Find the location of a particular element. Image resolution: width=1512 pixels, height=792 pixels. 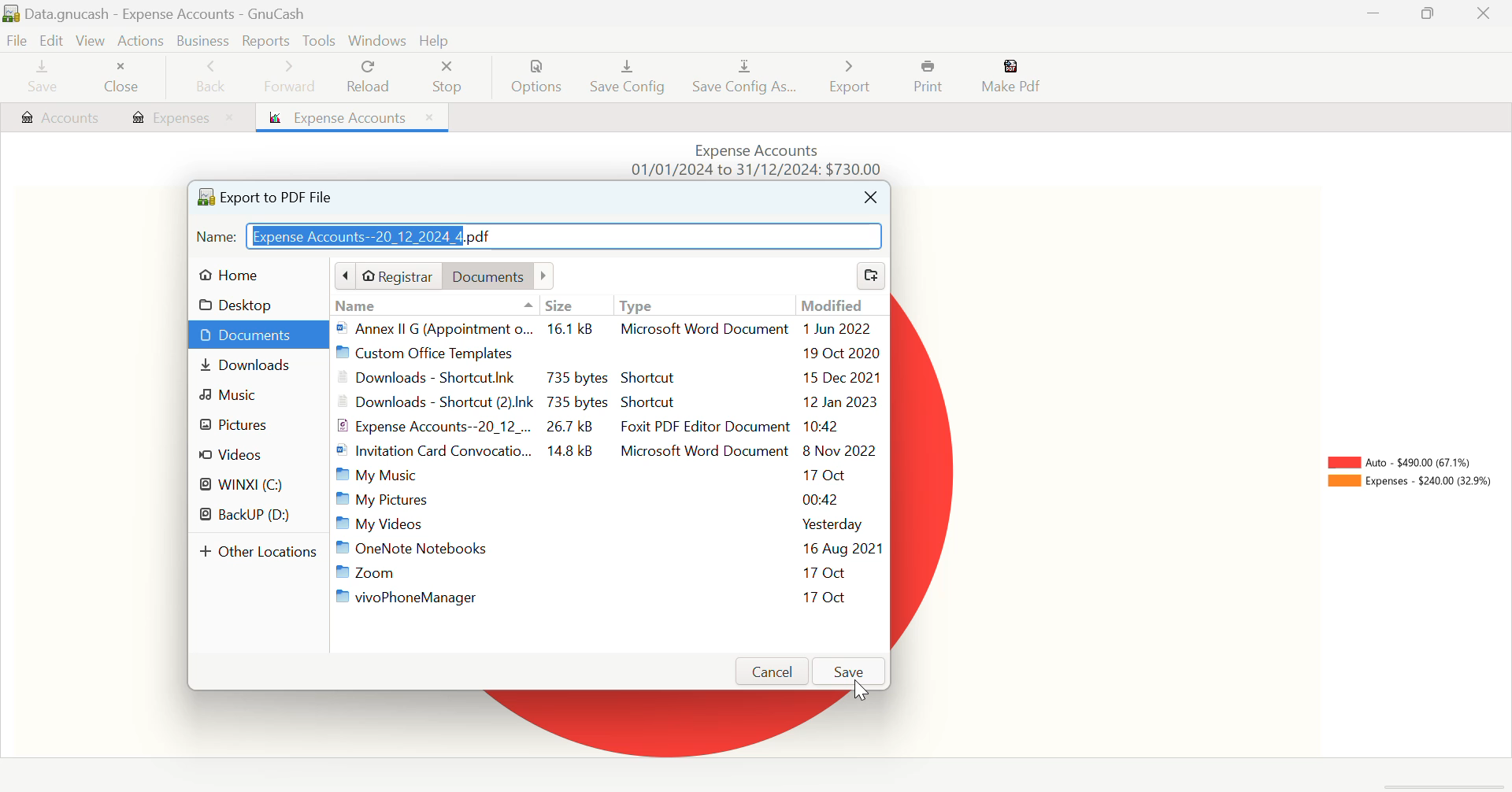

Back is located at coordinates (212, 78).